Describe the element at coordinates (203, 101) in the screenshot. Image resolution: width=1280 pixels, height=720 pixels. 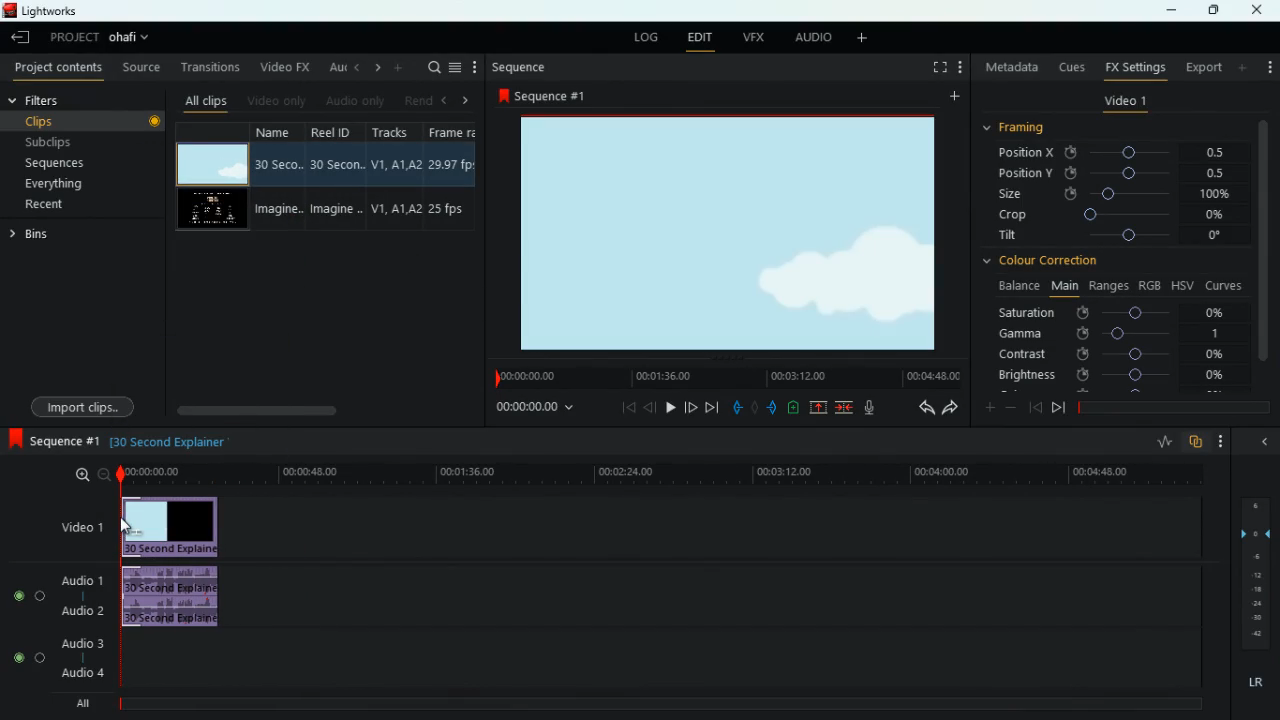
I see `all clips` at that location.